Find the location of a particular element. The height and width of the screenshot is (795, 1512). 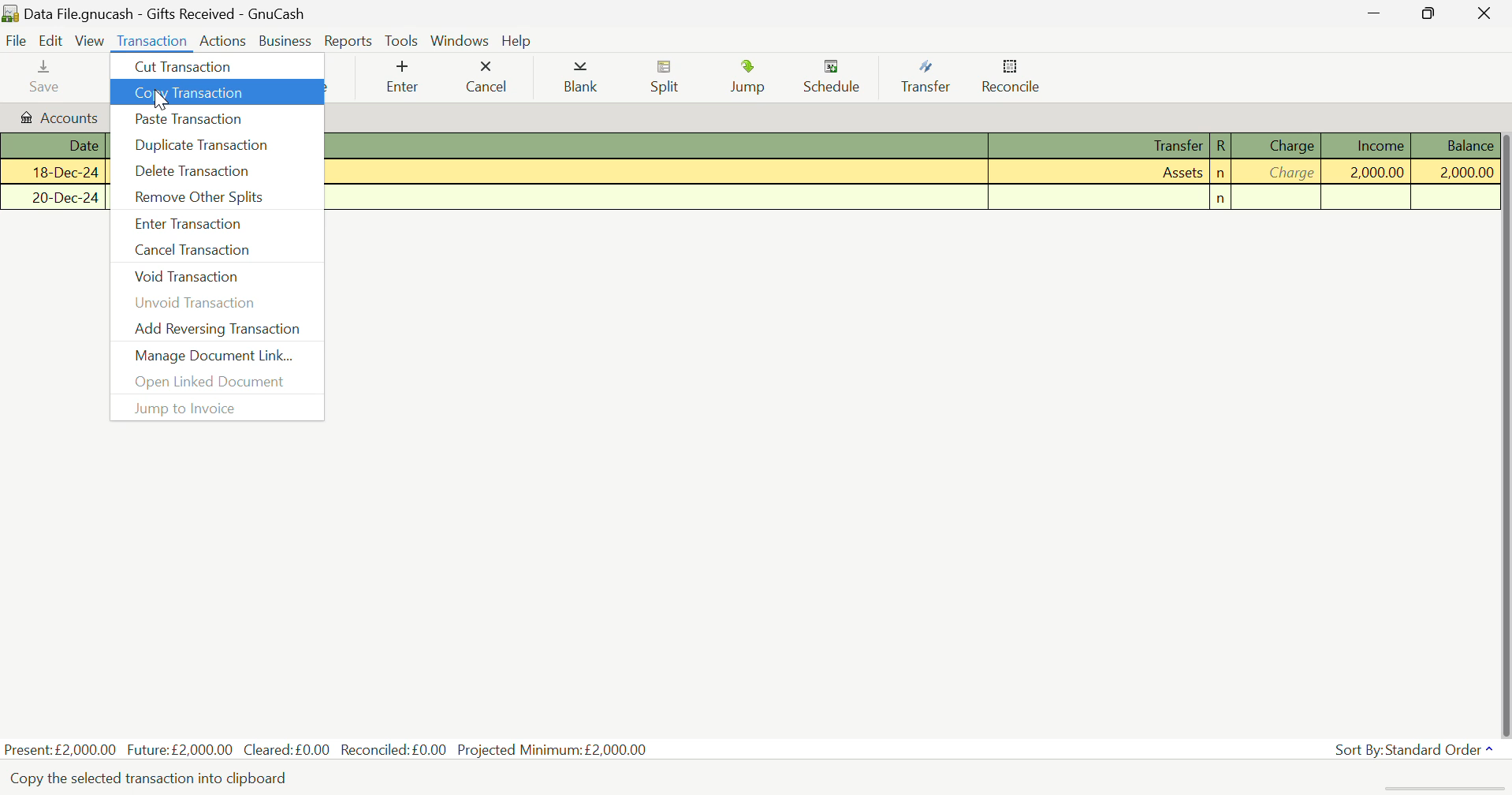

Projected Minimum is located at coordinates (556, 748).